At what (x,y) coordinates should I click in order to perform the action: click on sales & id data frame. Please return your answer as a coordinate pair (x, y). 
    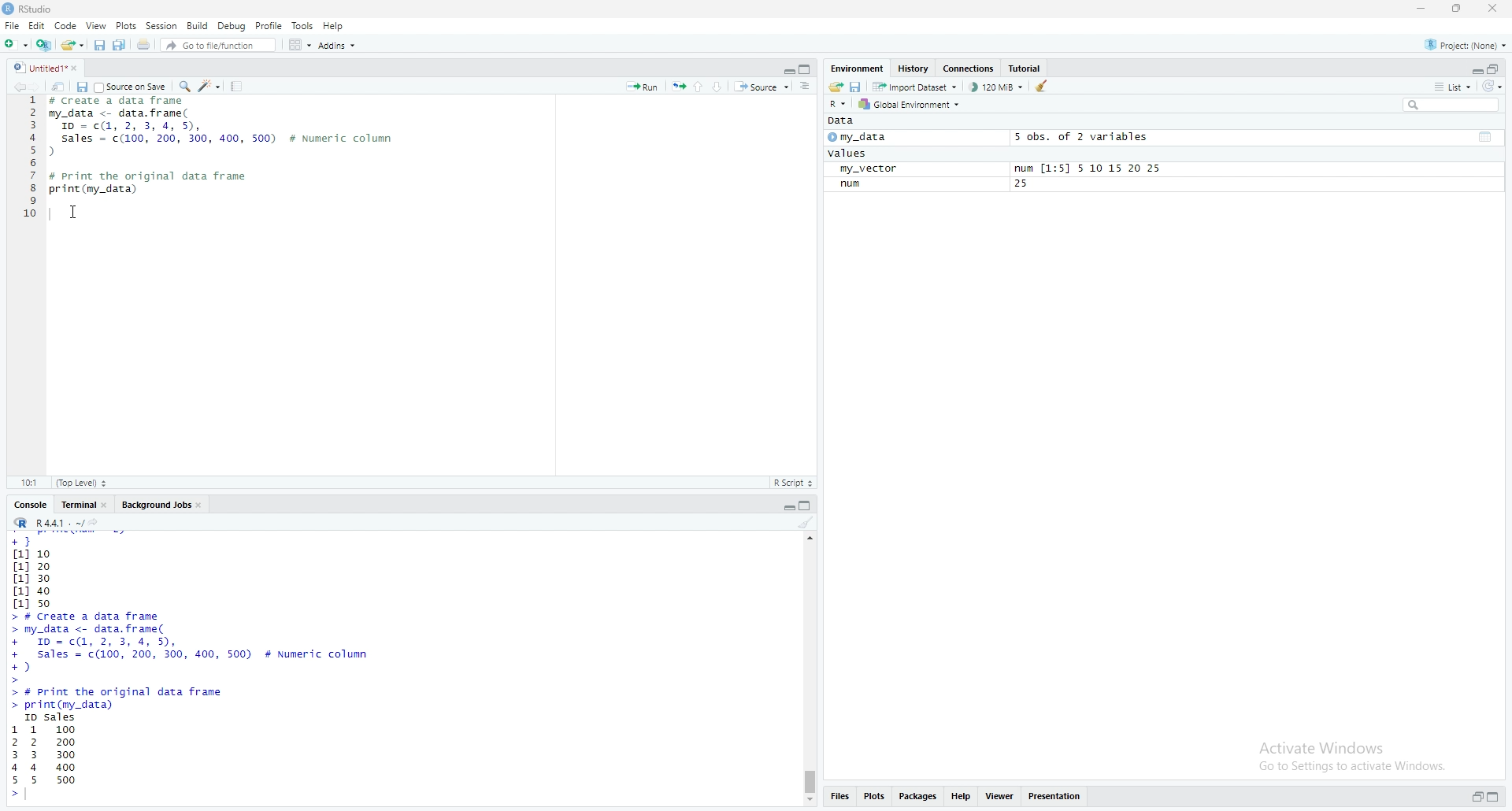
    Looking at the image, I should click on (214, 648).